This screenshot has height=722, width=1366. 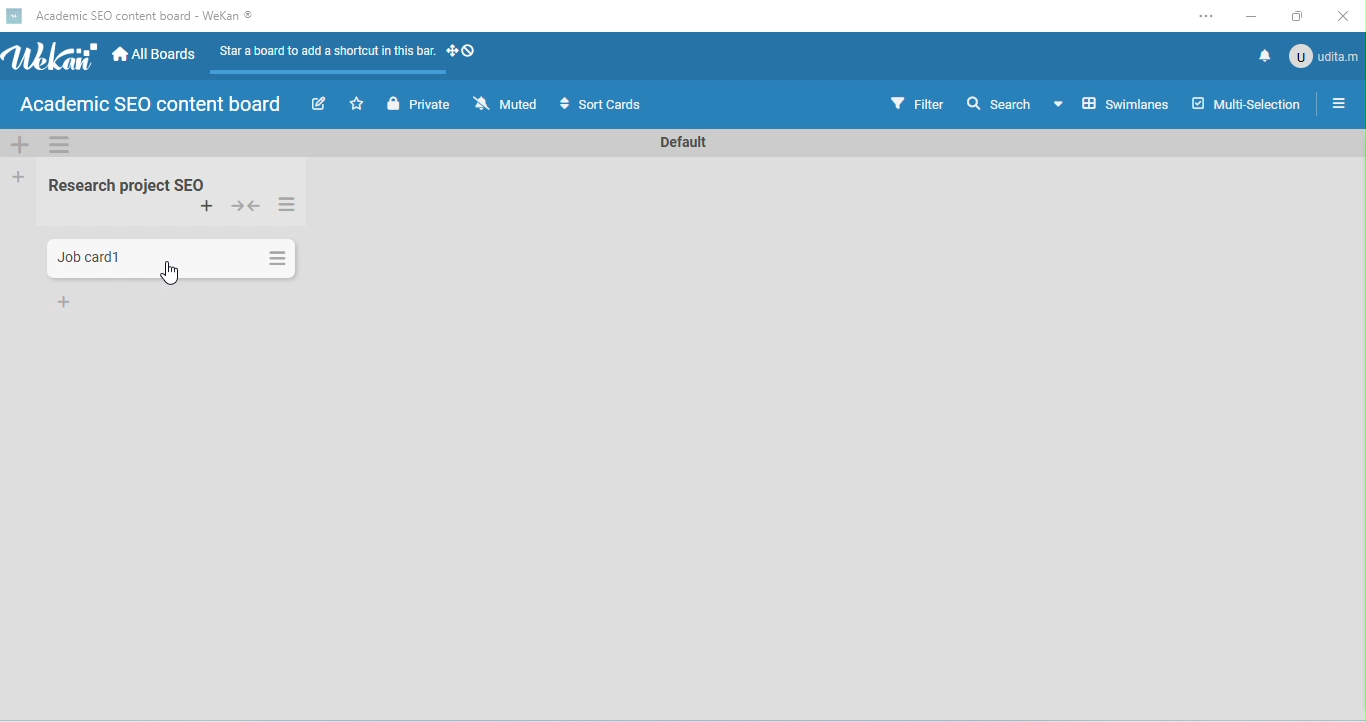 I want to click on list actions, so click(x=289, y=205).